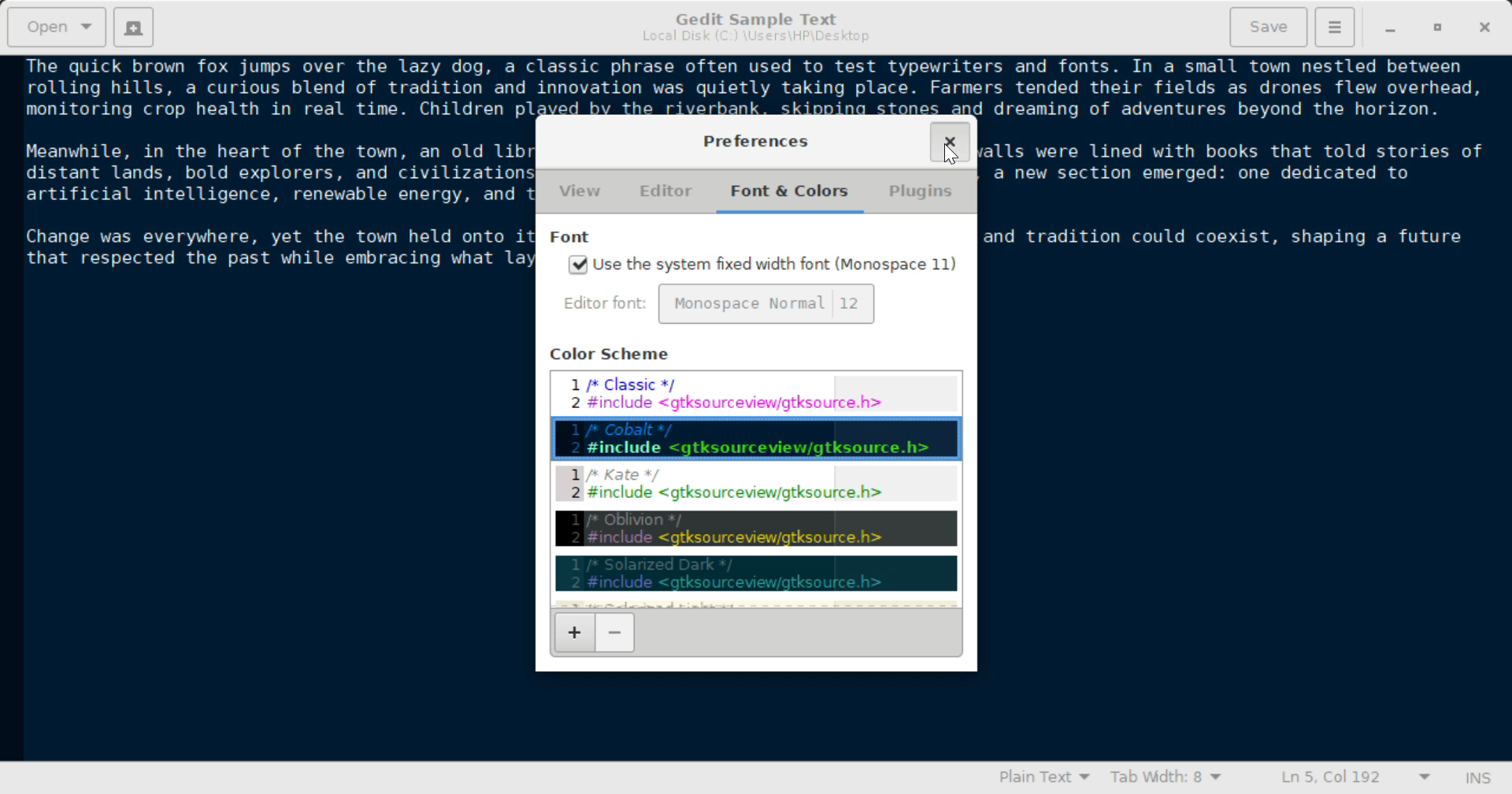 This screenshot has height=794, width=1512. Describe the element at coordinates (58, 27) in the screenshot. I see `Open Documents` at that location.